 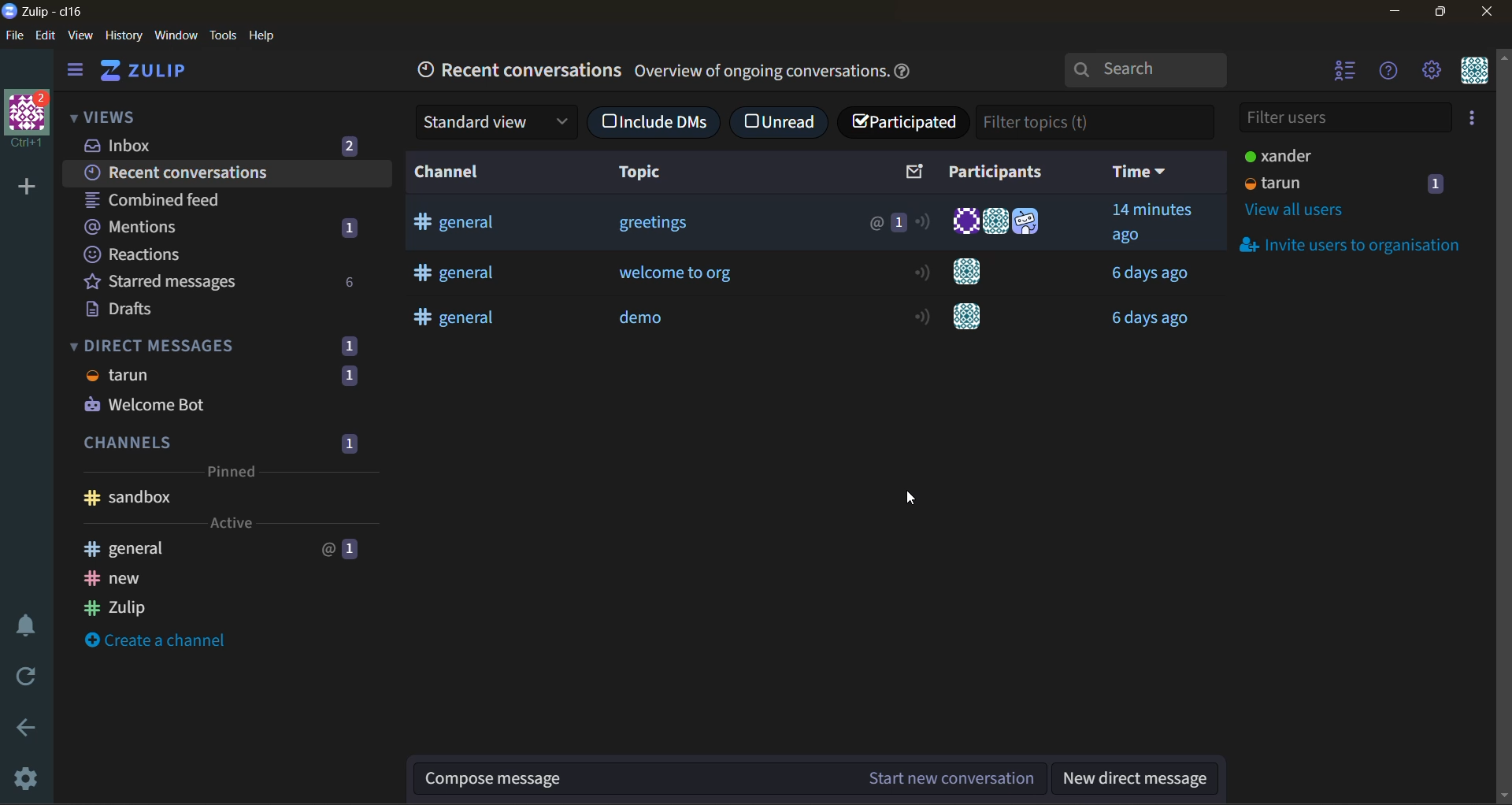 I want to click on reactions, so click(x=183, y=254).